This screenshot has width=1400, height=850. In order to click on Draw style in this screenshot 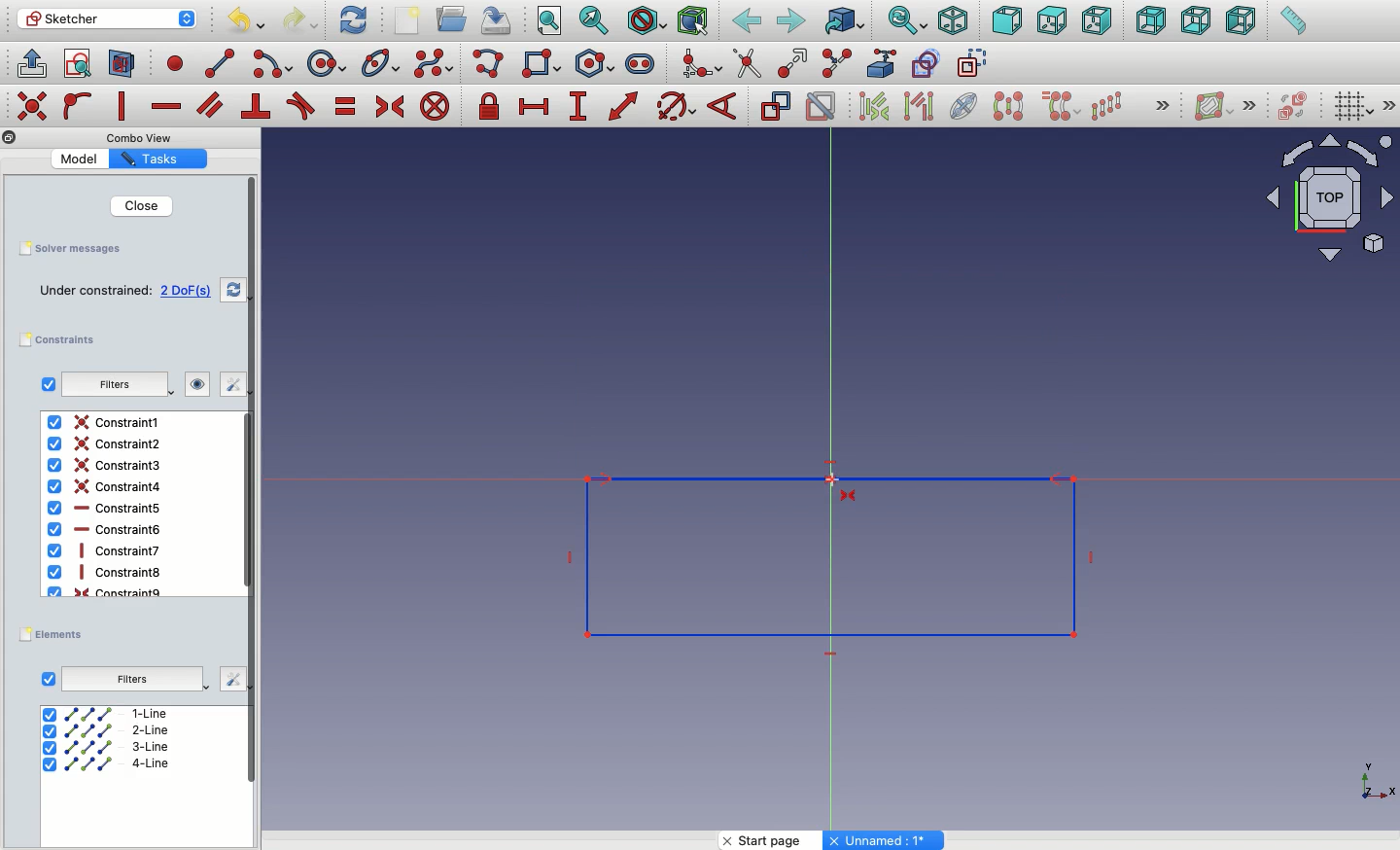, I will do `click(646, 21)`.